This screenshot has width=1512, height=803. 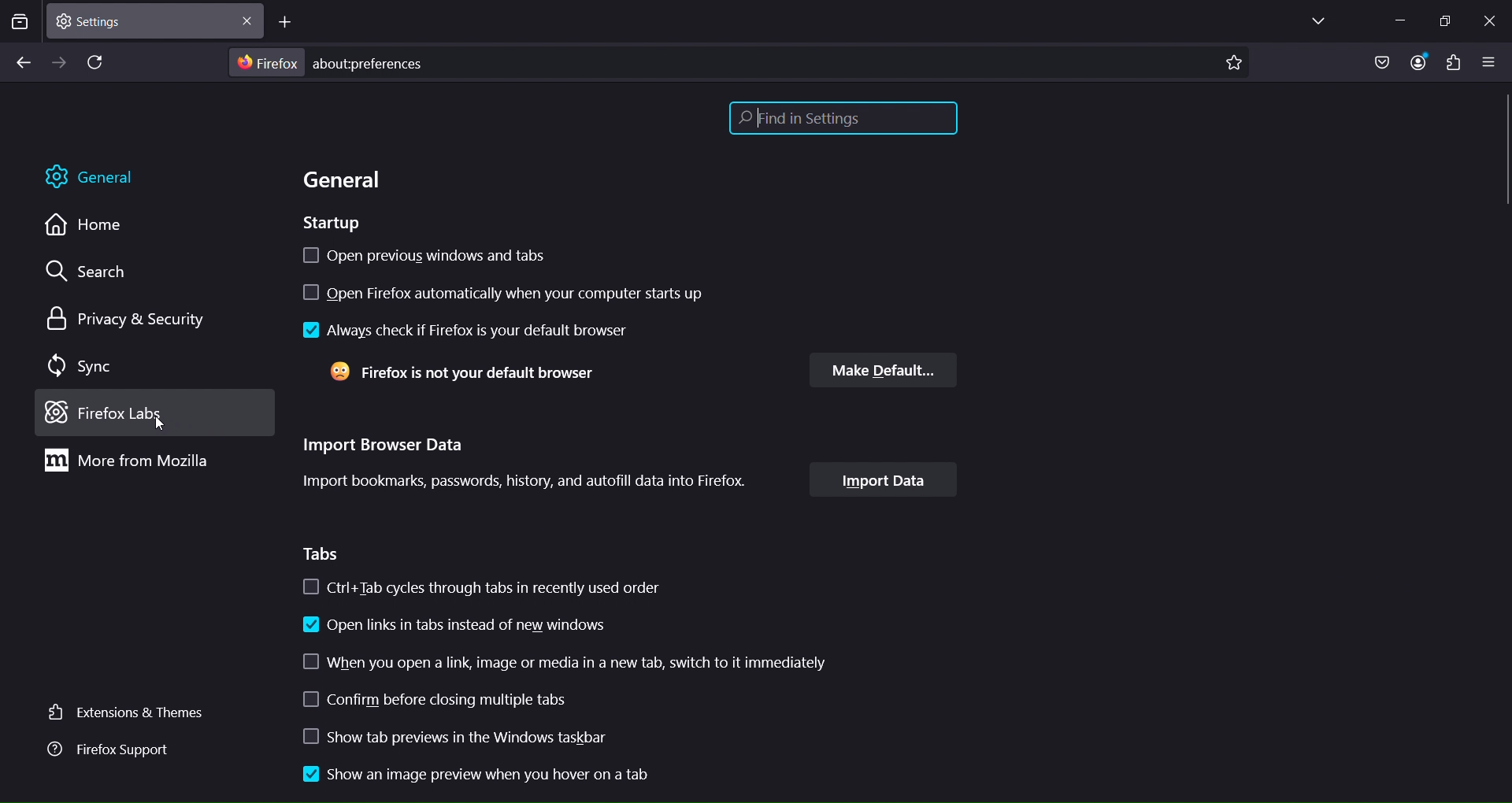 What do you see at coordinates (1453, 65) in the screenshot?
I see `extensions` at bounding box center [1453, 65].